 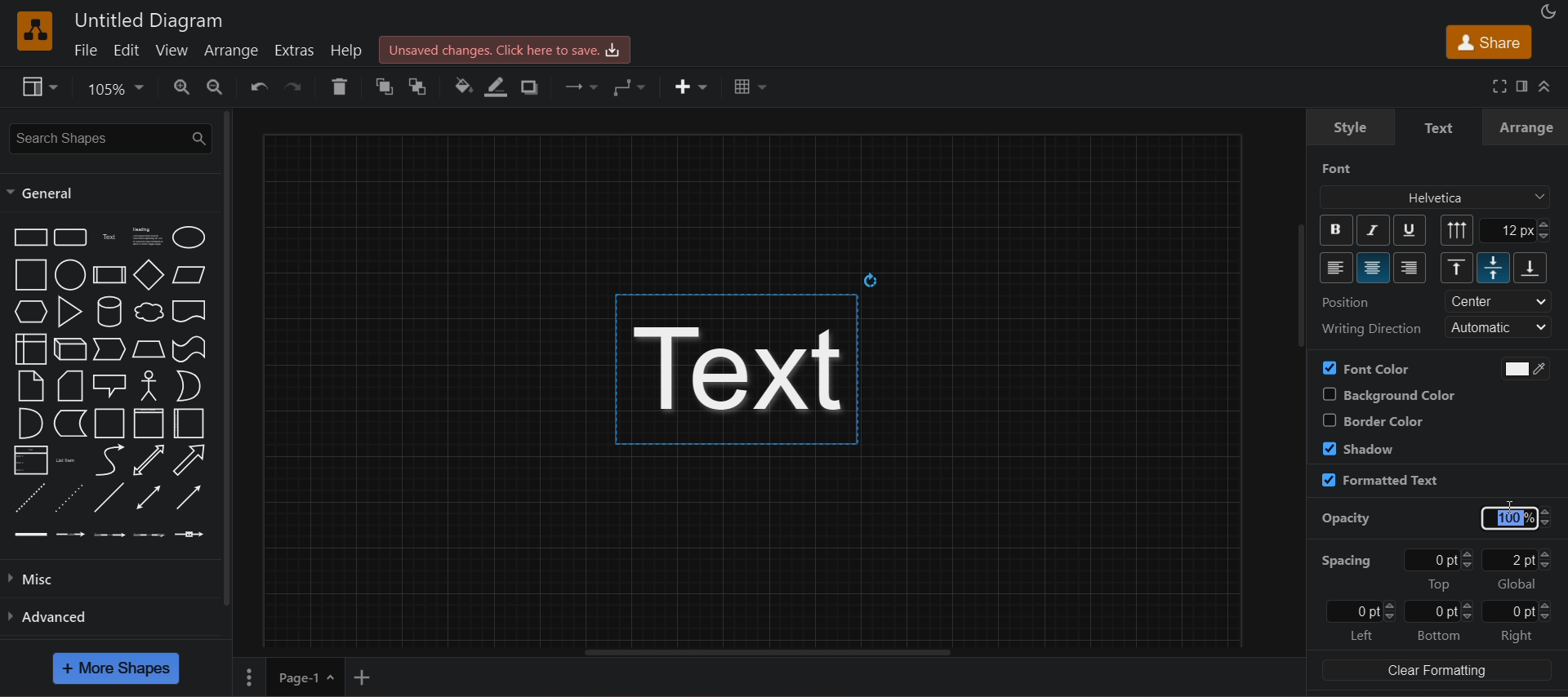 What do you see at coordinates (1410, 268) in the screenshot?
I see `right` at bounding box center [1410, 268].